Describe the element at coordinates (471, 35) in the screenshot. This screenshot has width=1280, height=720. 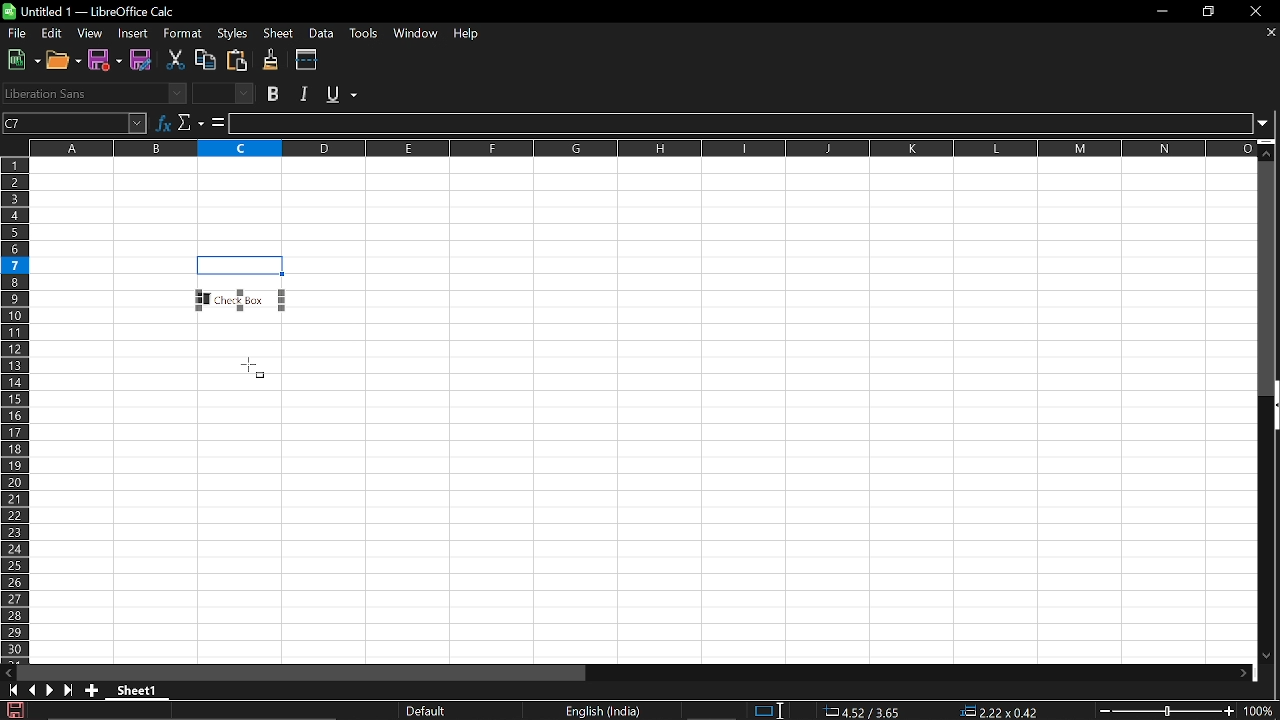
I see `HElp` at that location.